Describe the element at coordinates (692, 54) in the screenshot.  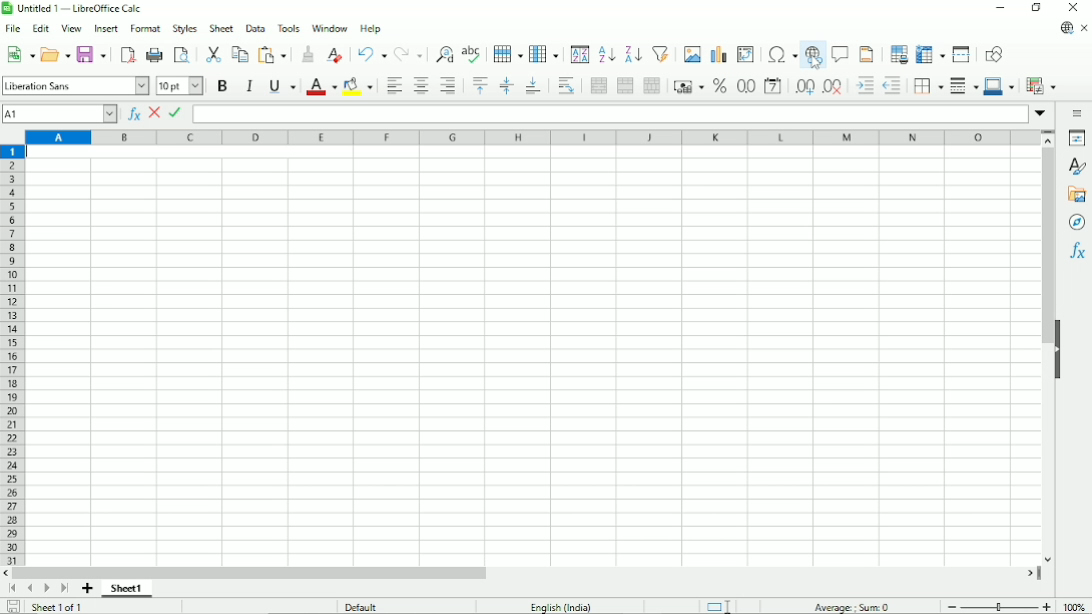
I see `Insert image` at that location.